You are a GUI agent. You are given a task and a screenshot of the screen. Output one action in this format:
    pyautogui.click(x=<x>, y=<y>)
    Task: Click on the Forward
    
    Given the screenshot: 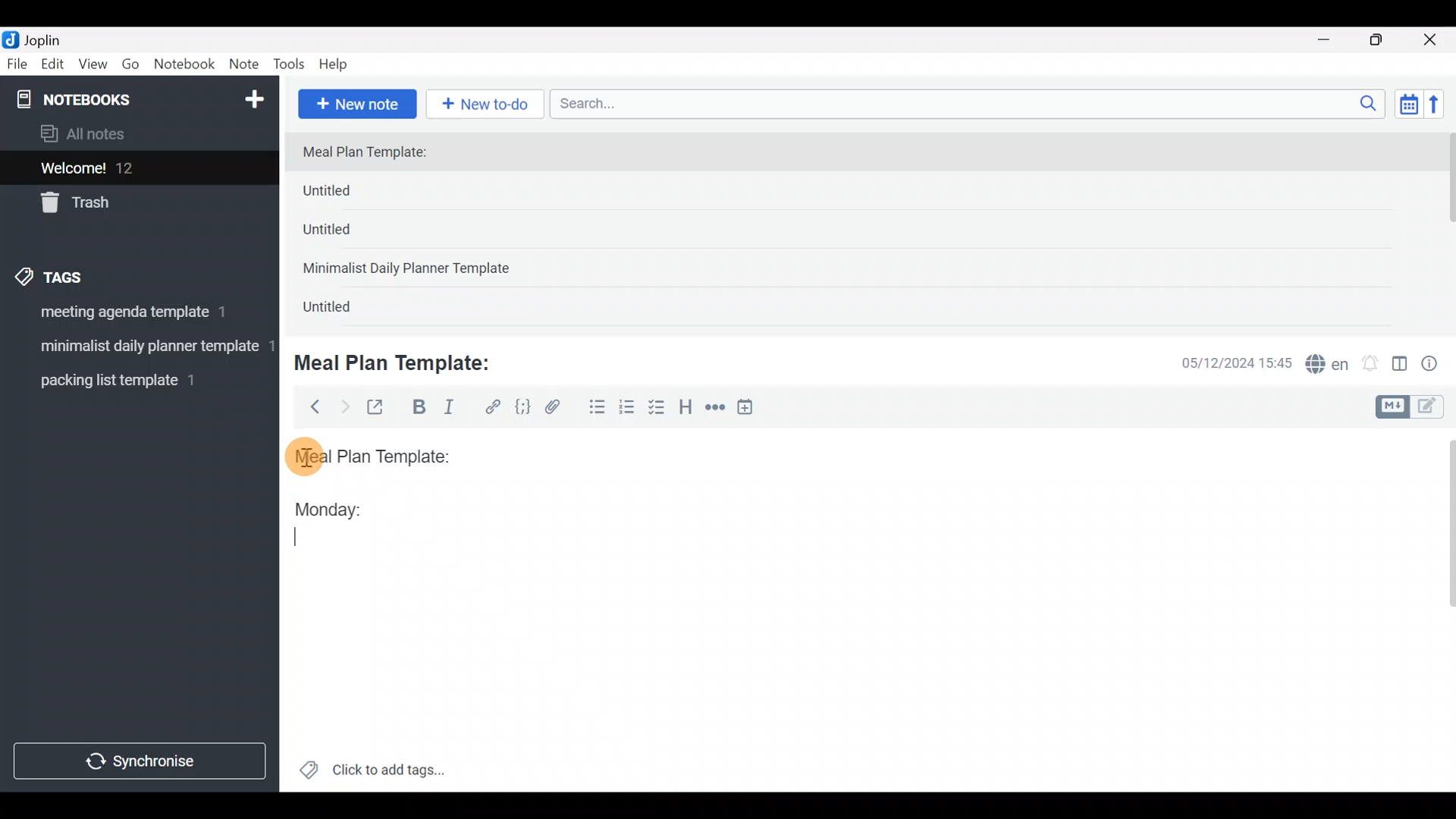 What is the action you would take?
    pyautogui.click(x=344, y=406)
    